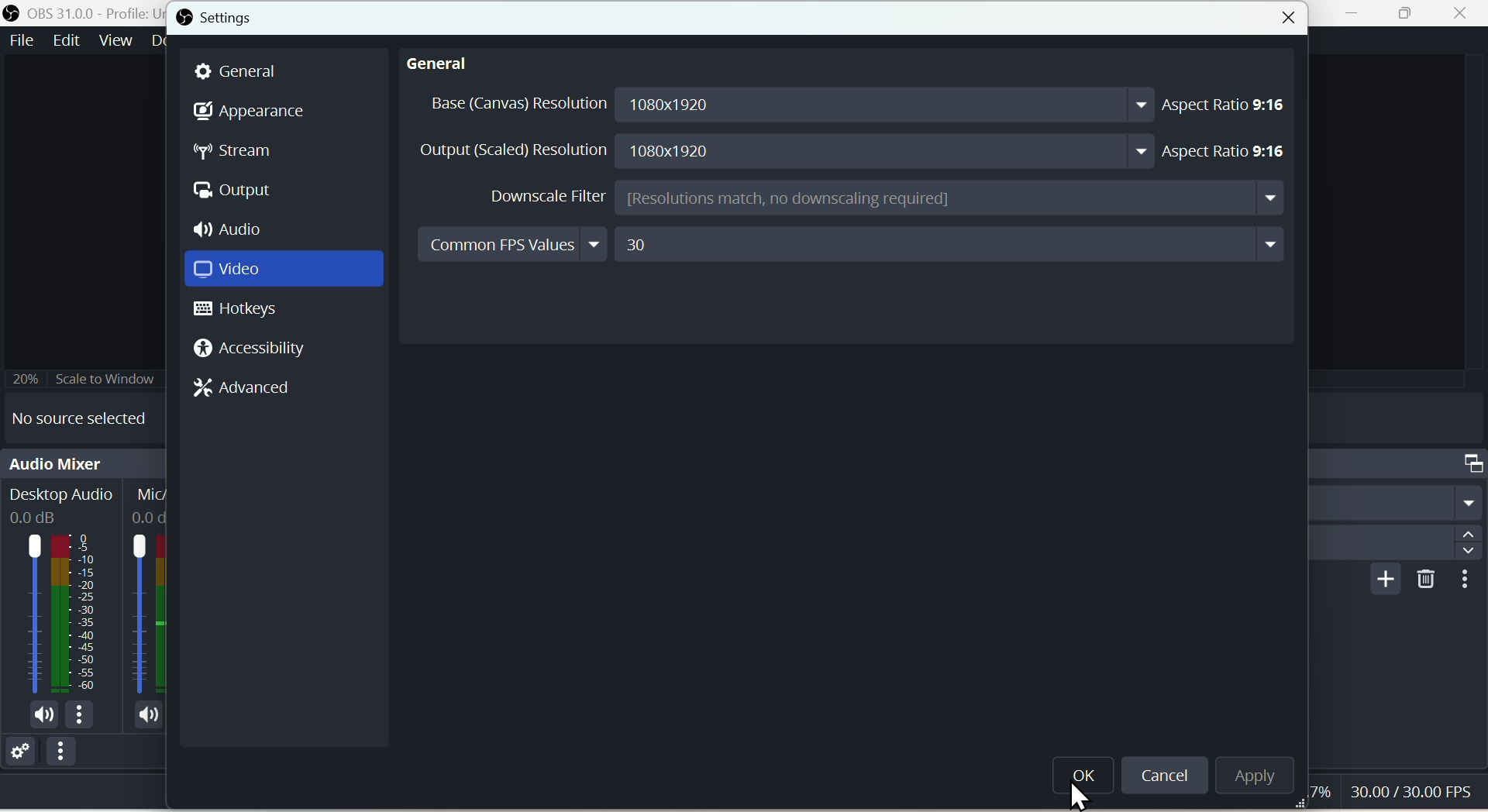 This screenshot has width=1488, height=812. Describe the element at coordinates (1235, 146) in the screenshot. I see `Aspect ratio 9: 16` at that location.